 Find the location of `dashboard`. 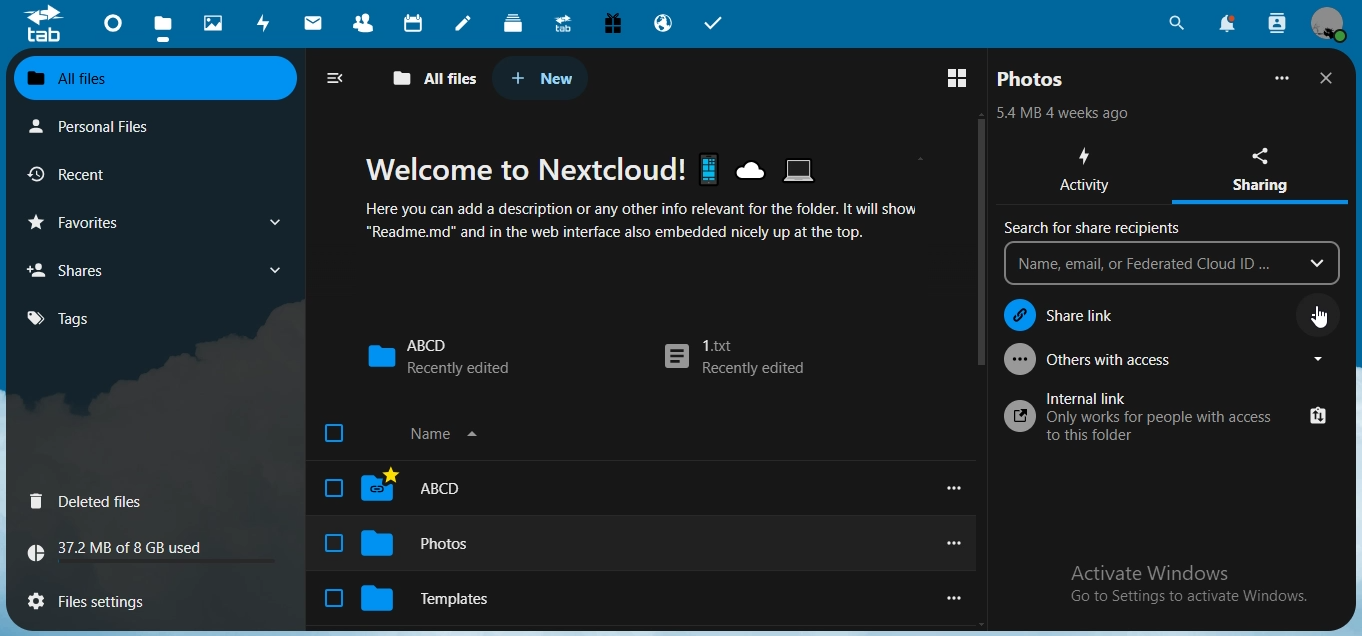

dashboard is located at coordinates (115, 29).